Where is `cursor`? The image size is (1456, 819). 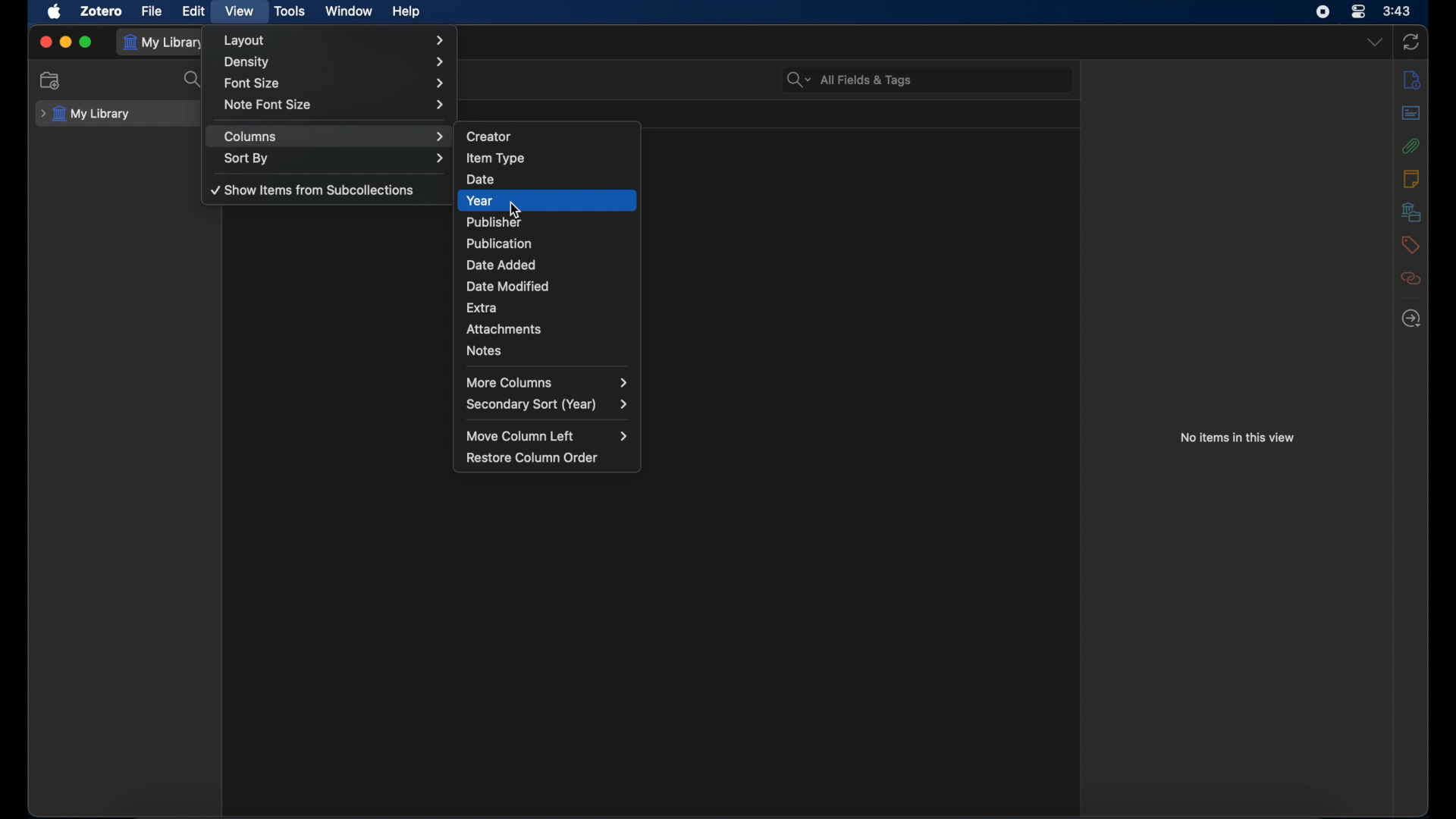 cursor is located at coordinates (515, 210).